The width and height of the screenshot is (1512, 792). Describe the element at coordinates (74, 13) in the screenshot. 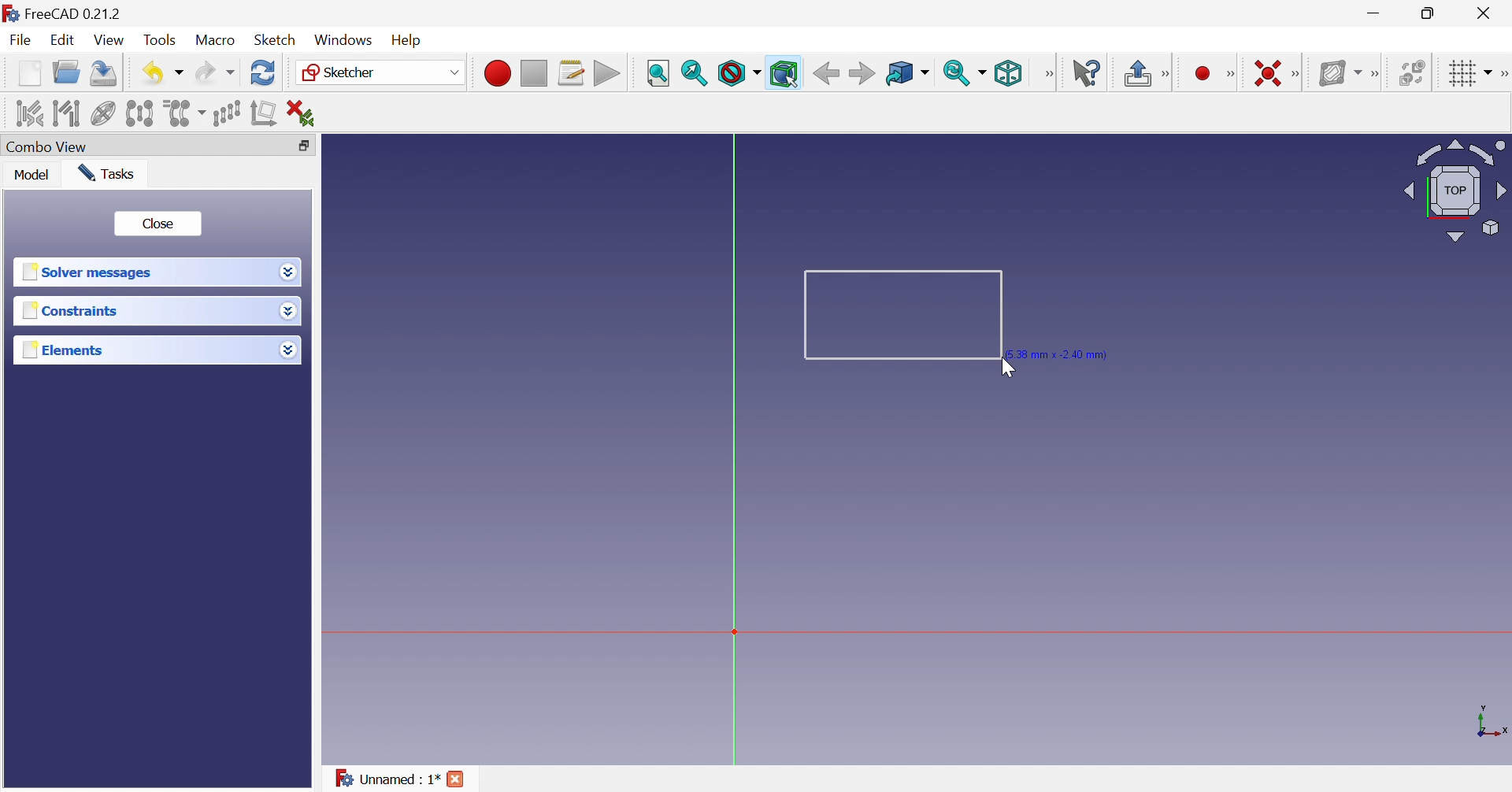

I see `FreeCAD 0.21.2` at that location.